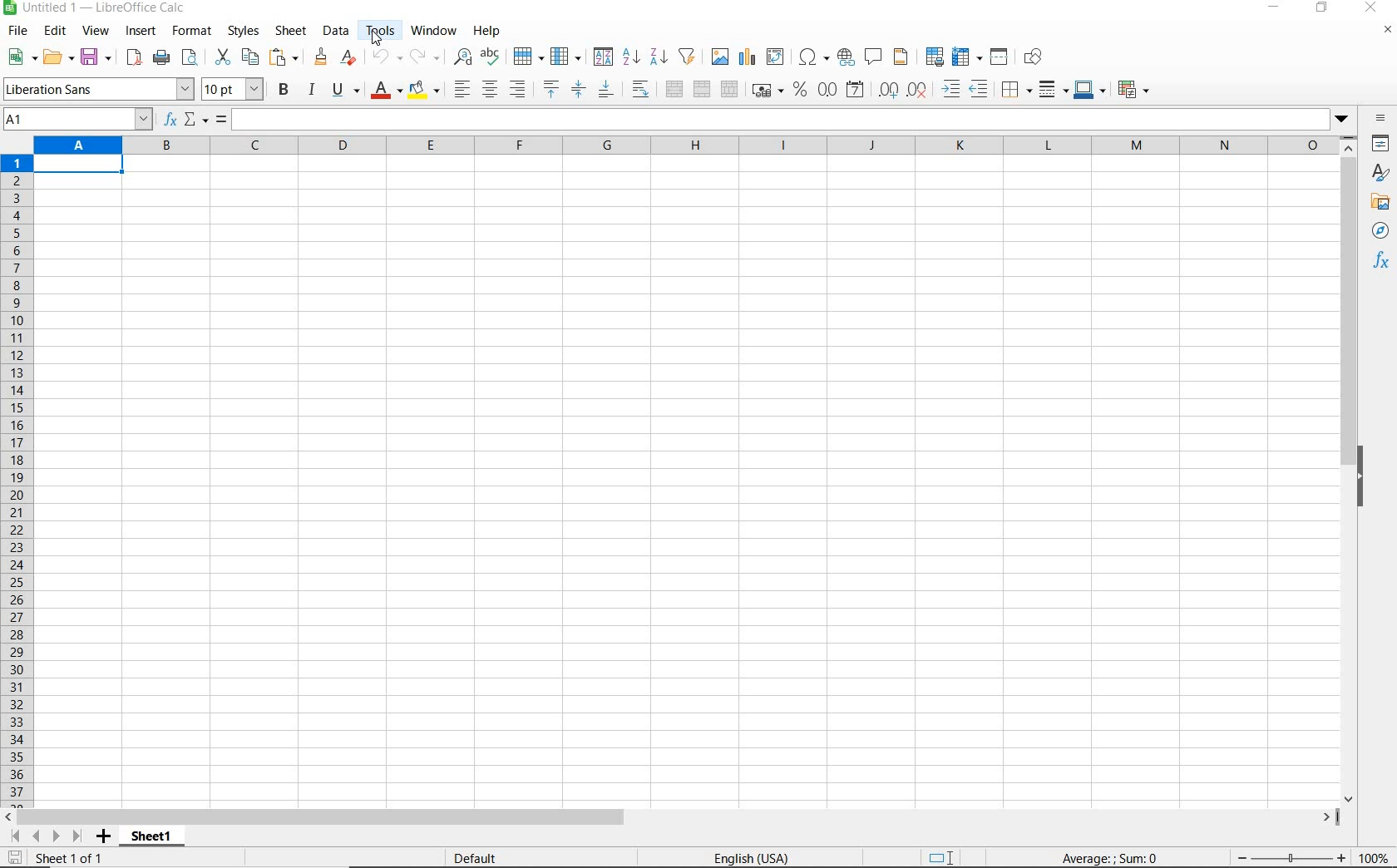  What do you see at coordinates (828, 88) in the screenshot?
I see `format as number` at bounding box center [828, 88].